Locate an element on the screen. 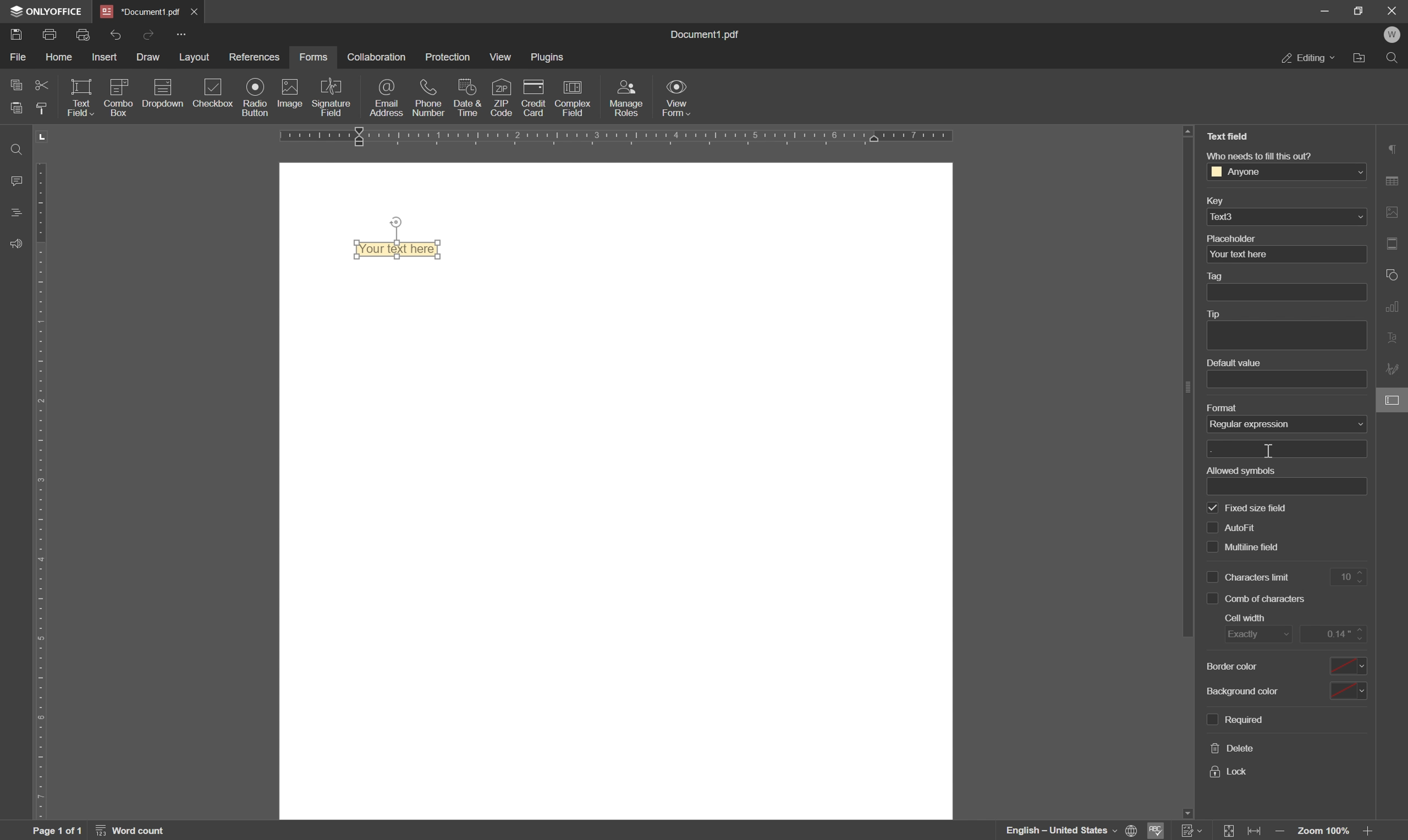 This screenshot has height=840, width=1408. none is located at coordinates (1281, 423).